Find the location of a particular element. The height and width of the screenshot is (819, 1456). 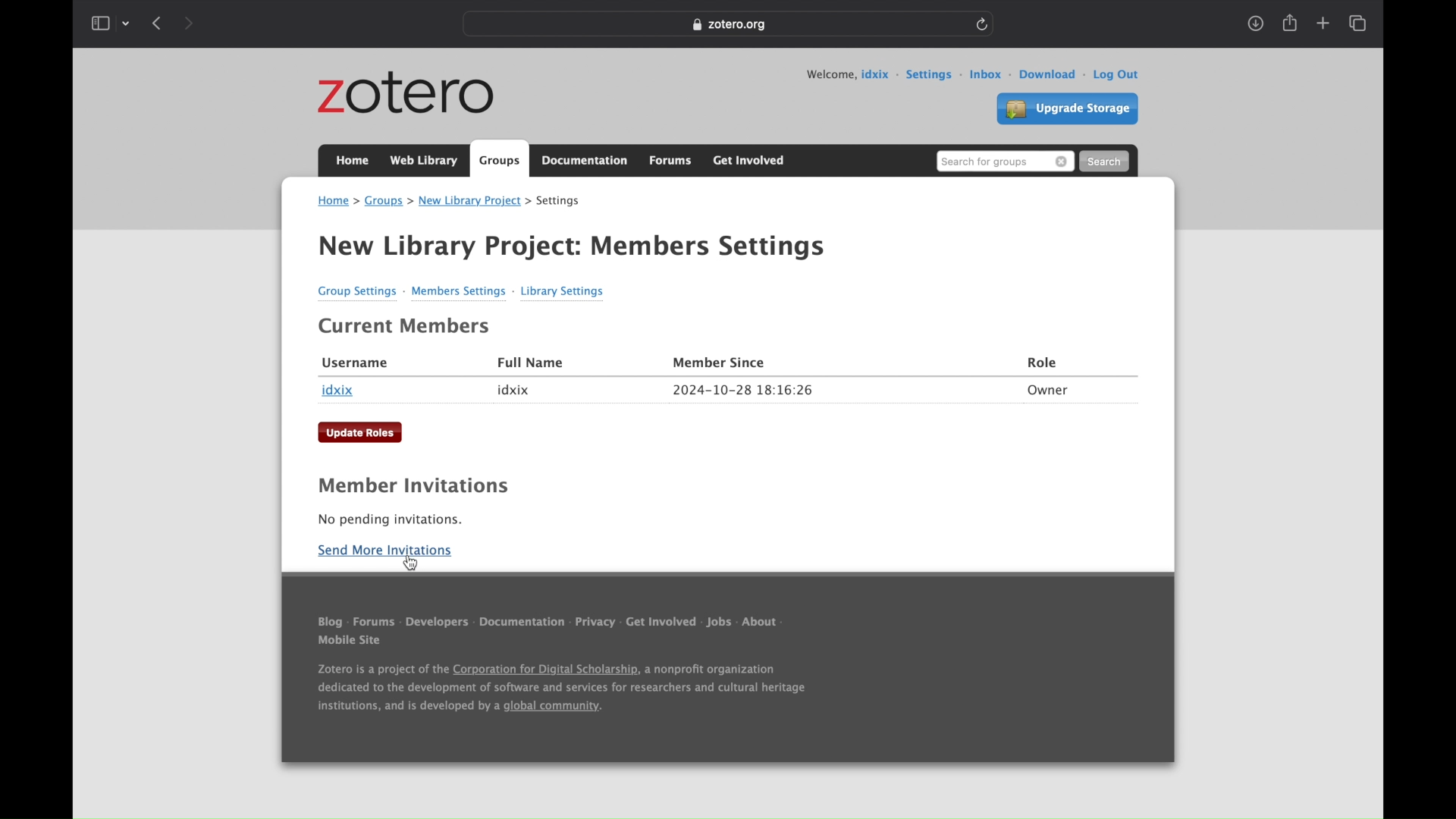

settings is located at coordinates (560, 202).